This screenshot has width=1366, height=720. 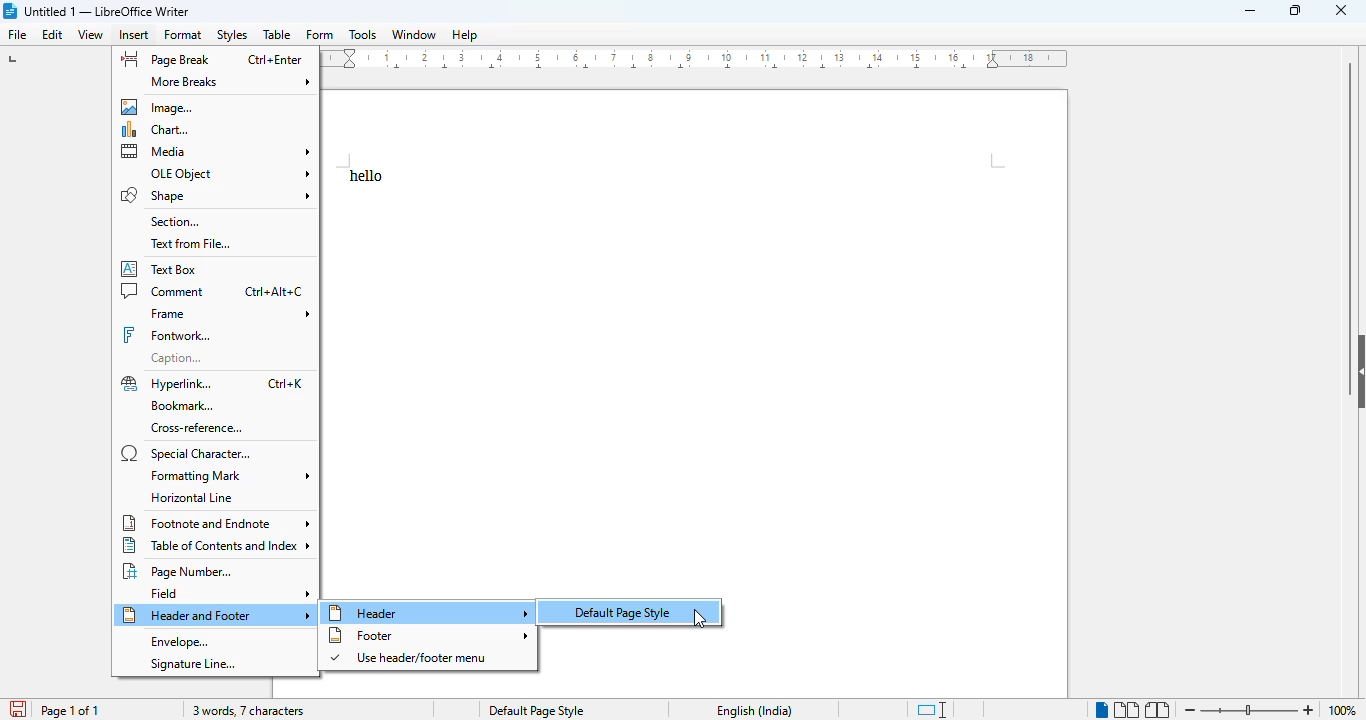 What do you see at coordinates (701, 619) in the screenshot?
I see `cursor` at bounding box center [701, 619].